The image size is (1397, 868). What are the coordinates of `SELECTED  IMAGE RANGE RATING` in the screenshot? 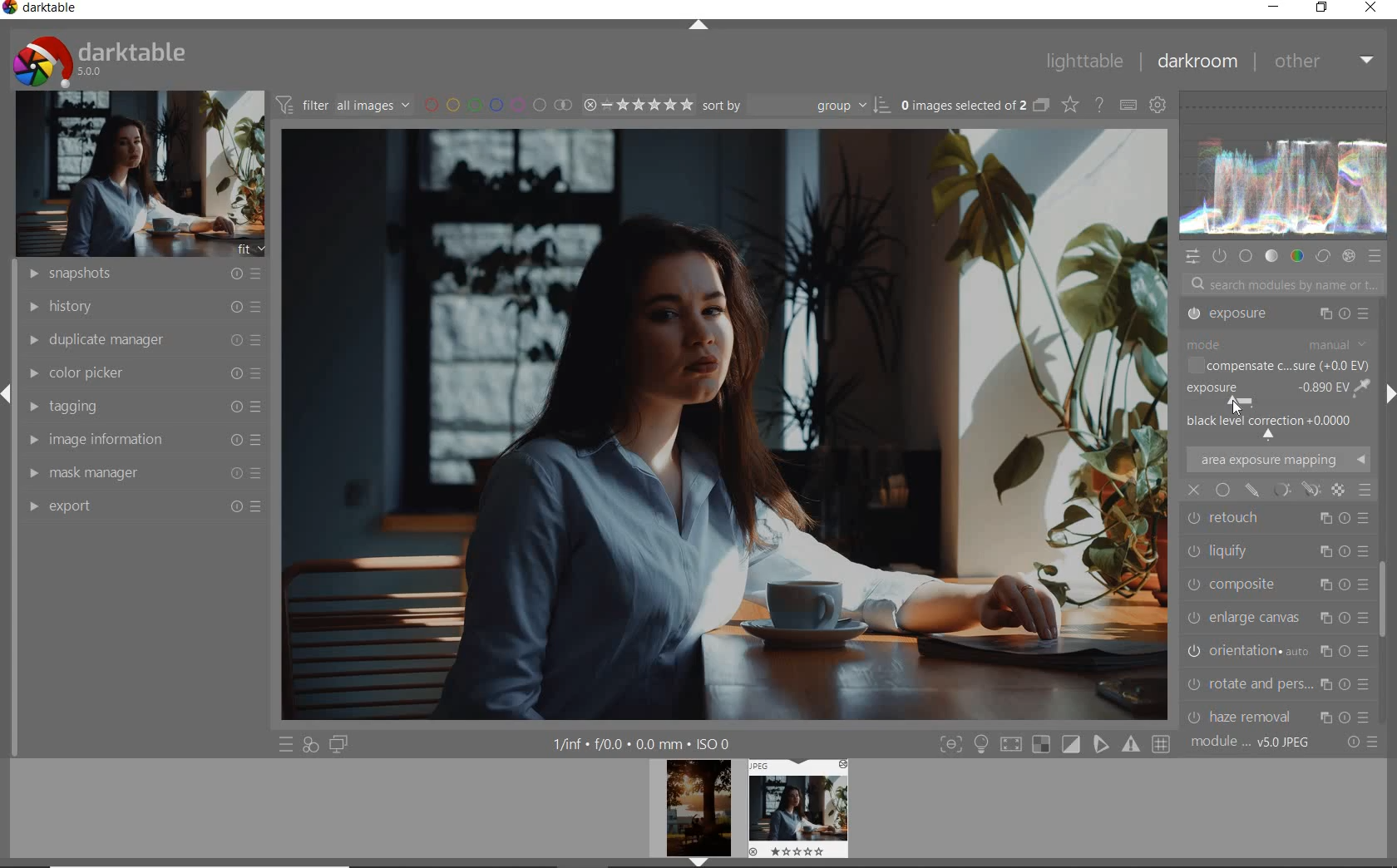 It's located at (637, 105).